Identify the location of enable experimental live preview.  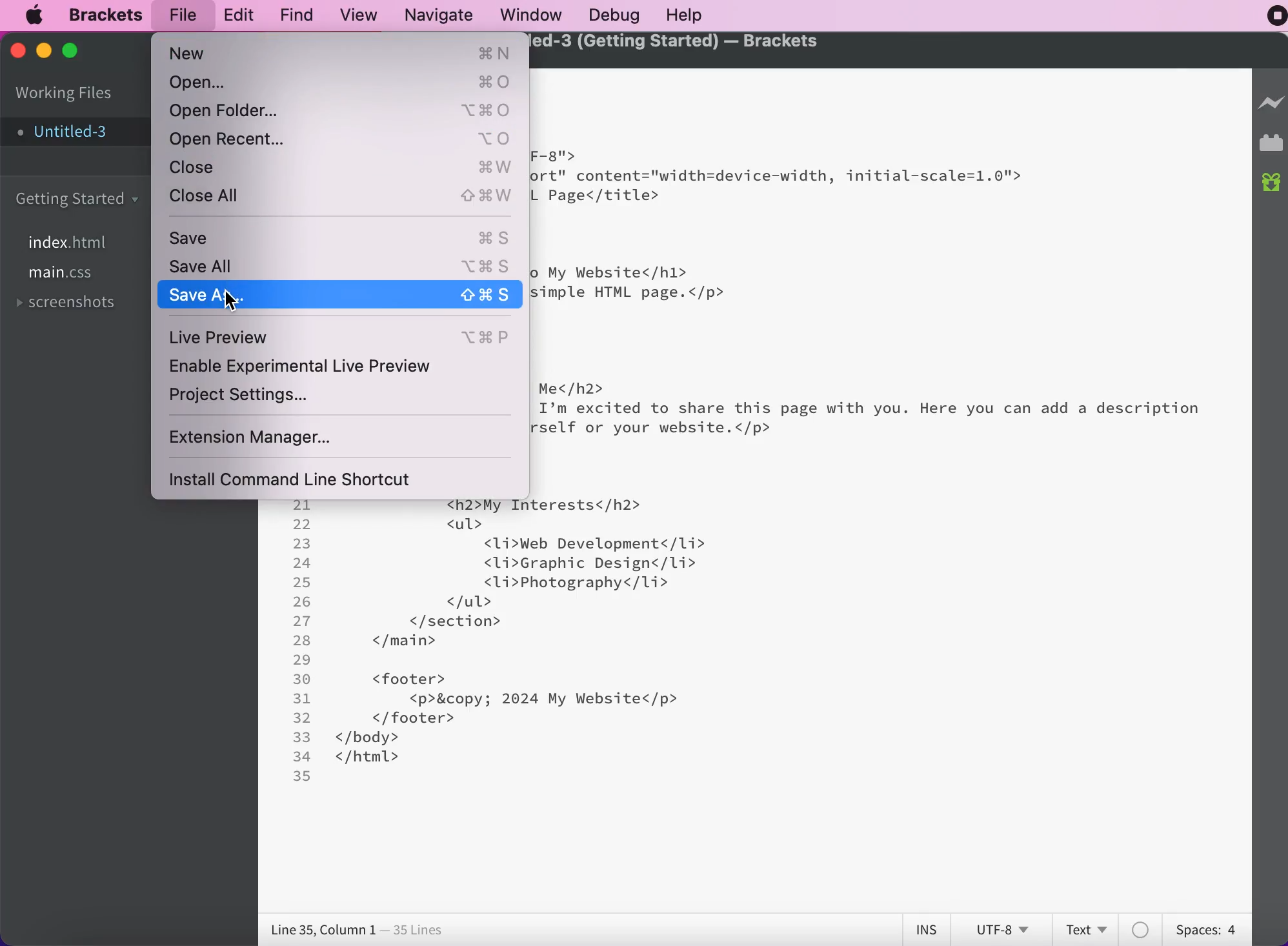
(330, 367).